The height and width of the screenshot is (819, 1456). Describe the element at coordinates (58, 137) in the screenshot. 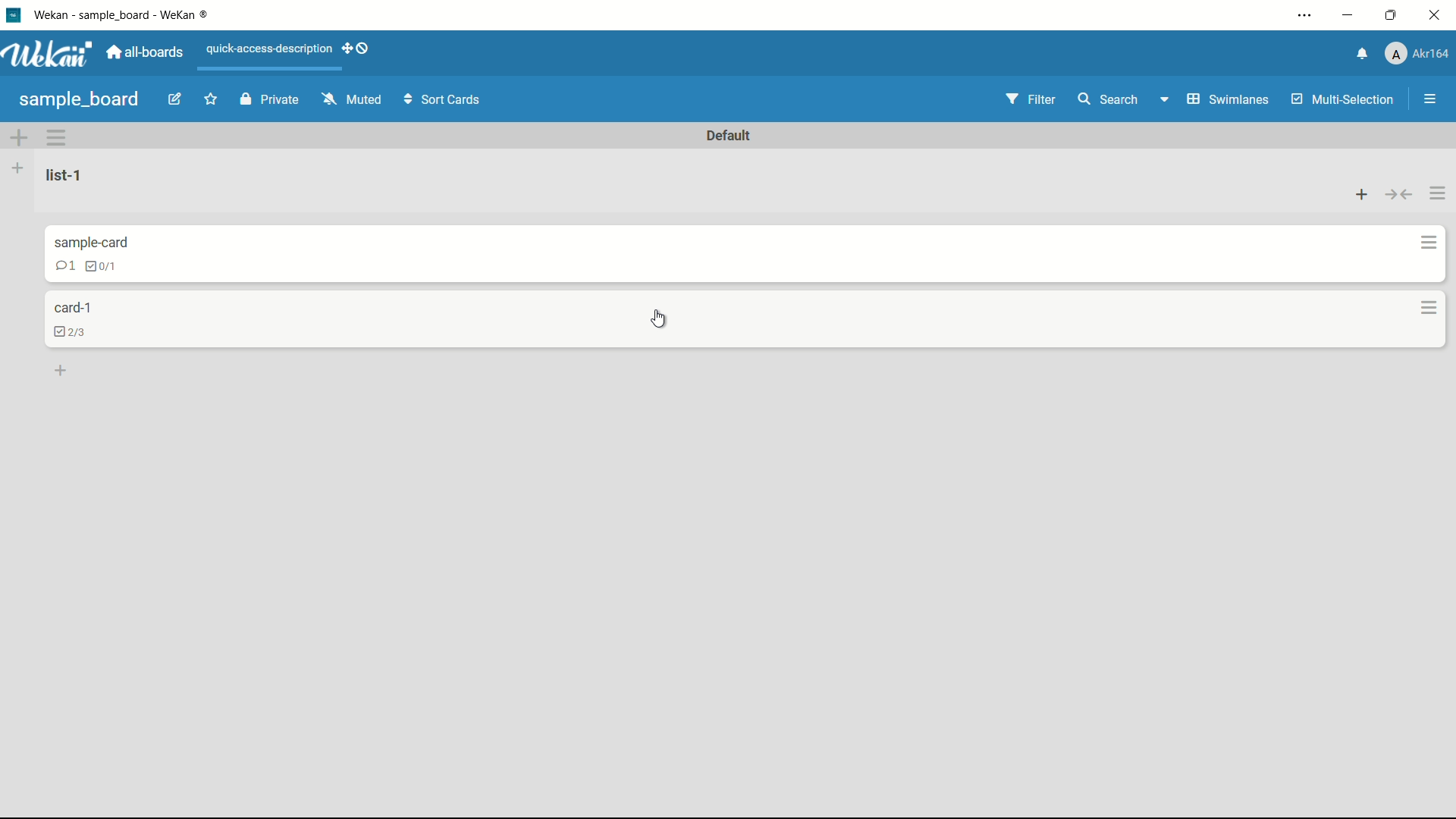

I see `swimlane actions` at that location.